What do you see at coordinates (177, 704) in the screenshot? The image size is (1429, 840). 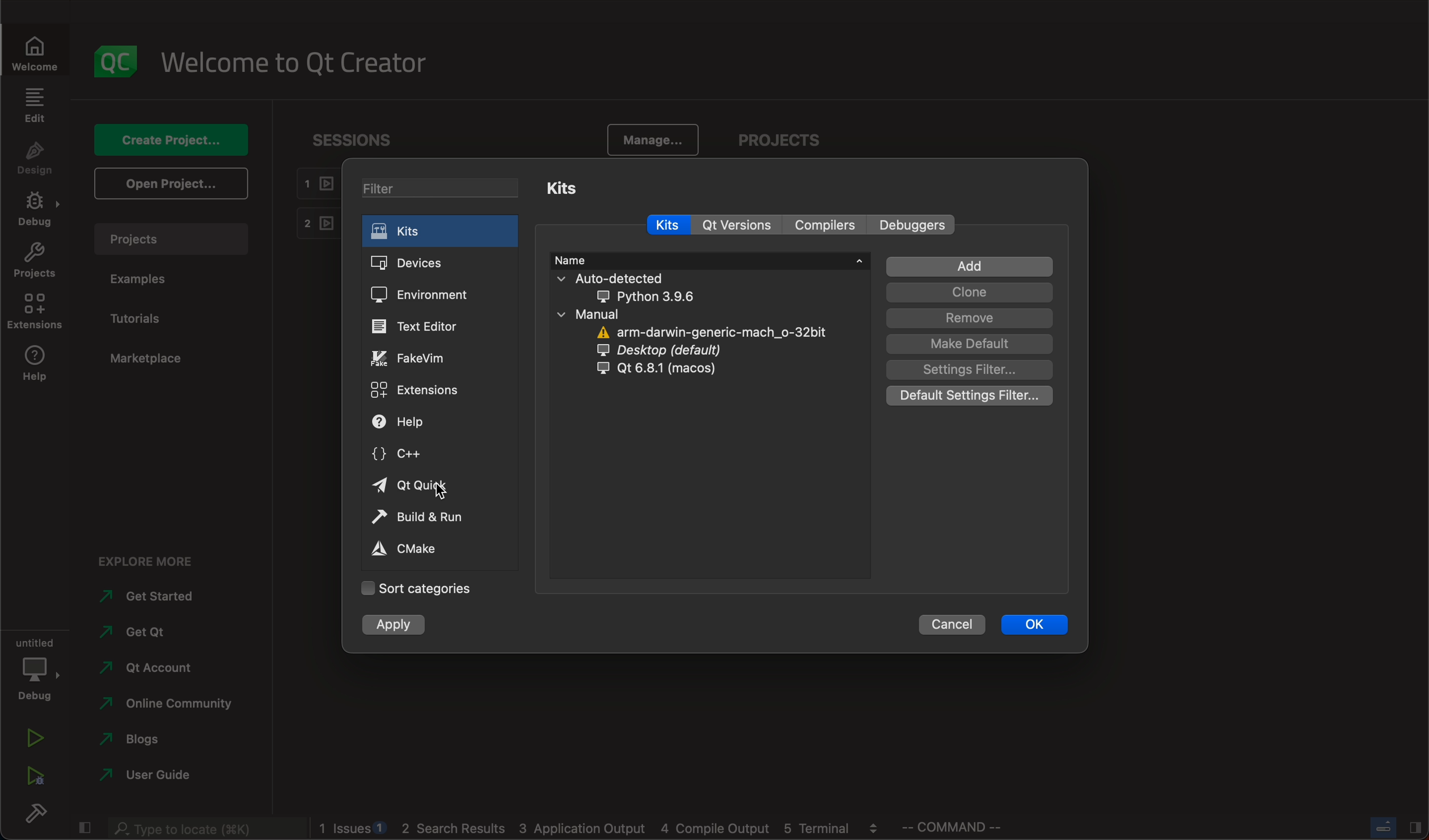 I see `community` at bounding box center [177, 704].